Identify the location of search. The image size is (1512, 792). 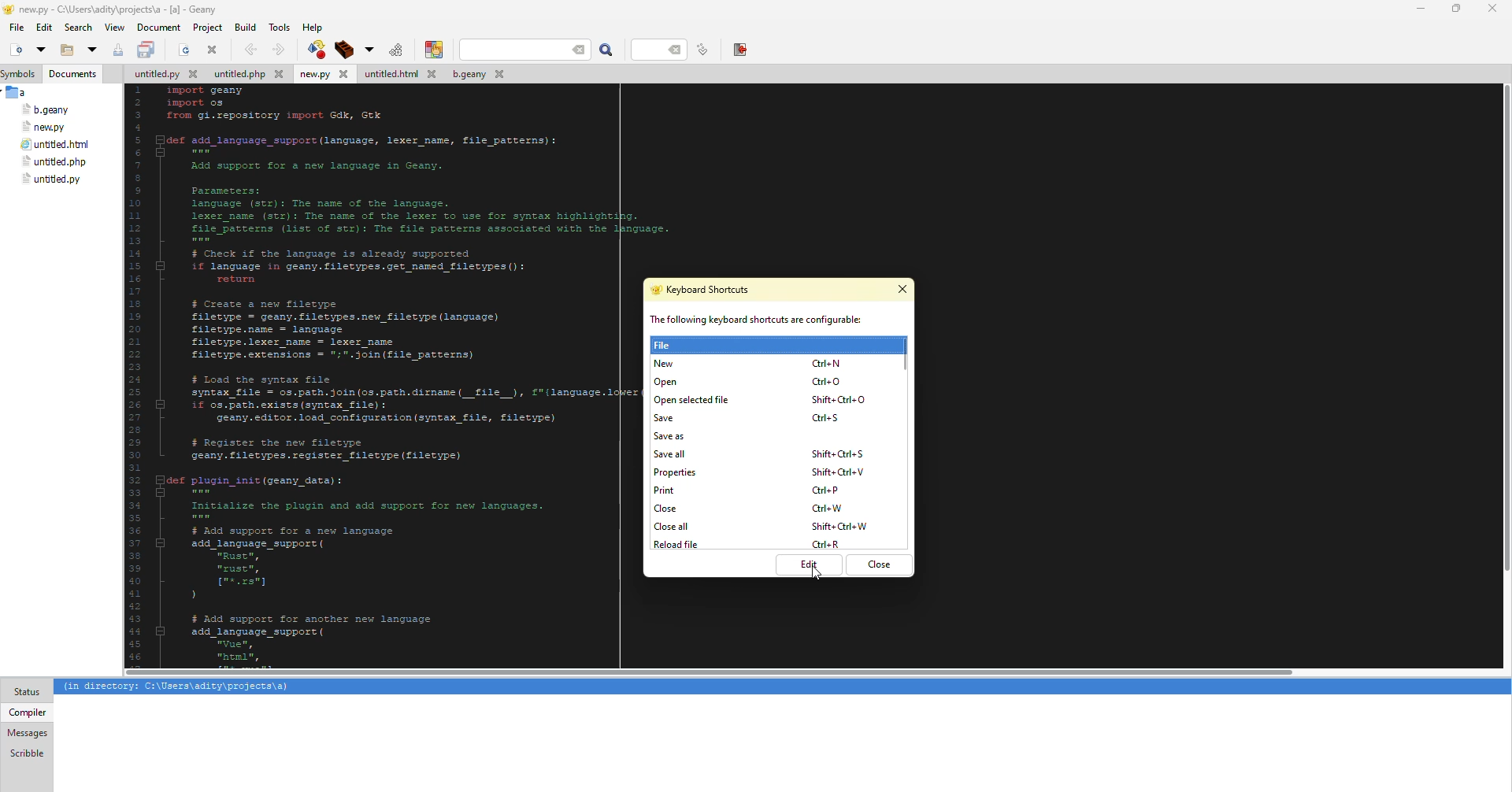
(607, 50).